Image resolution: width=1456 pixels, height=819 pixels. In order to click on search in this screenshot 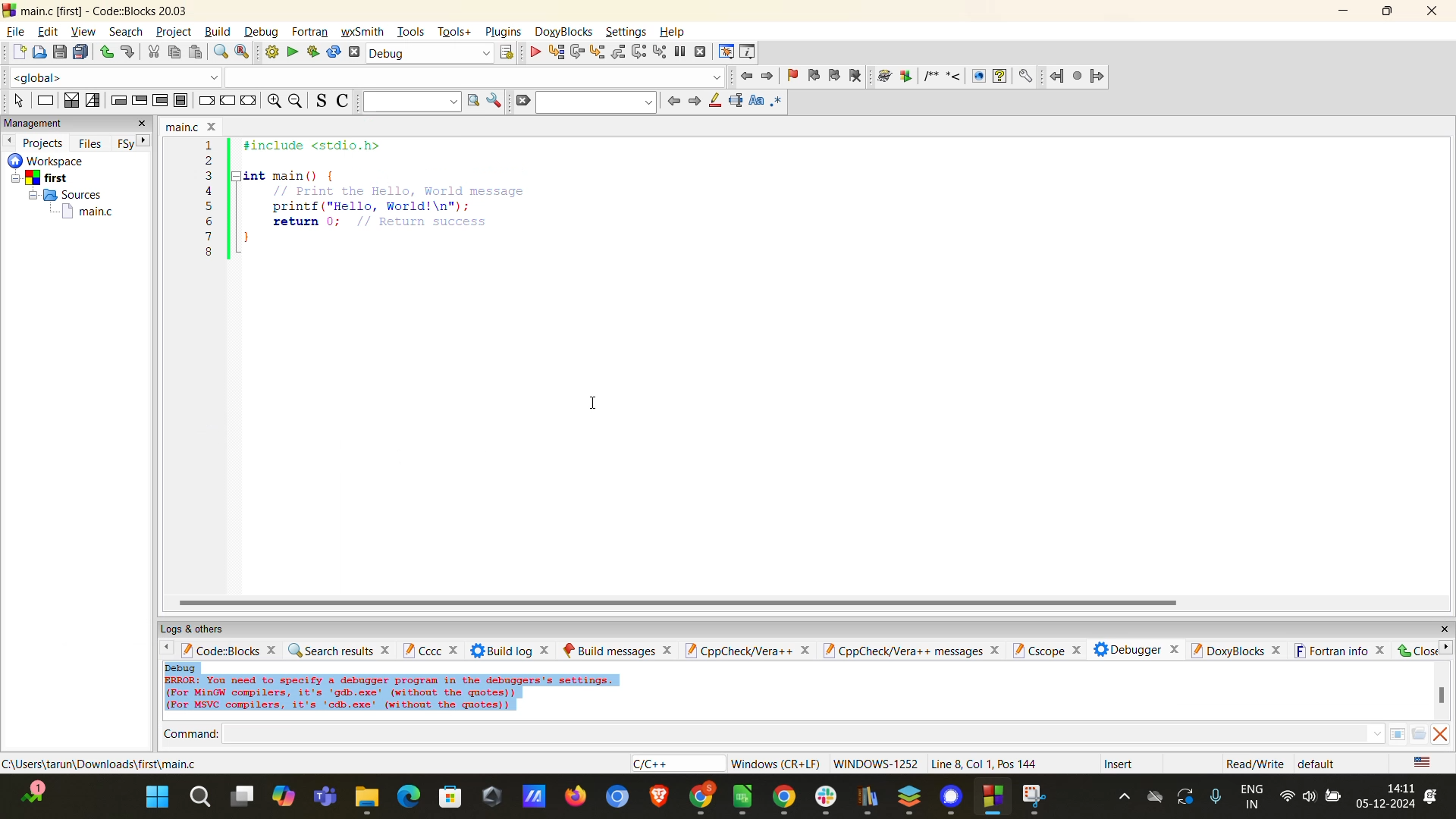, I will do `click(591, 103)`.